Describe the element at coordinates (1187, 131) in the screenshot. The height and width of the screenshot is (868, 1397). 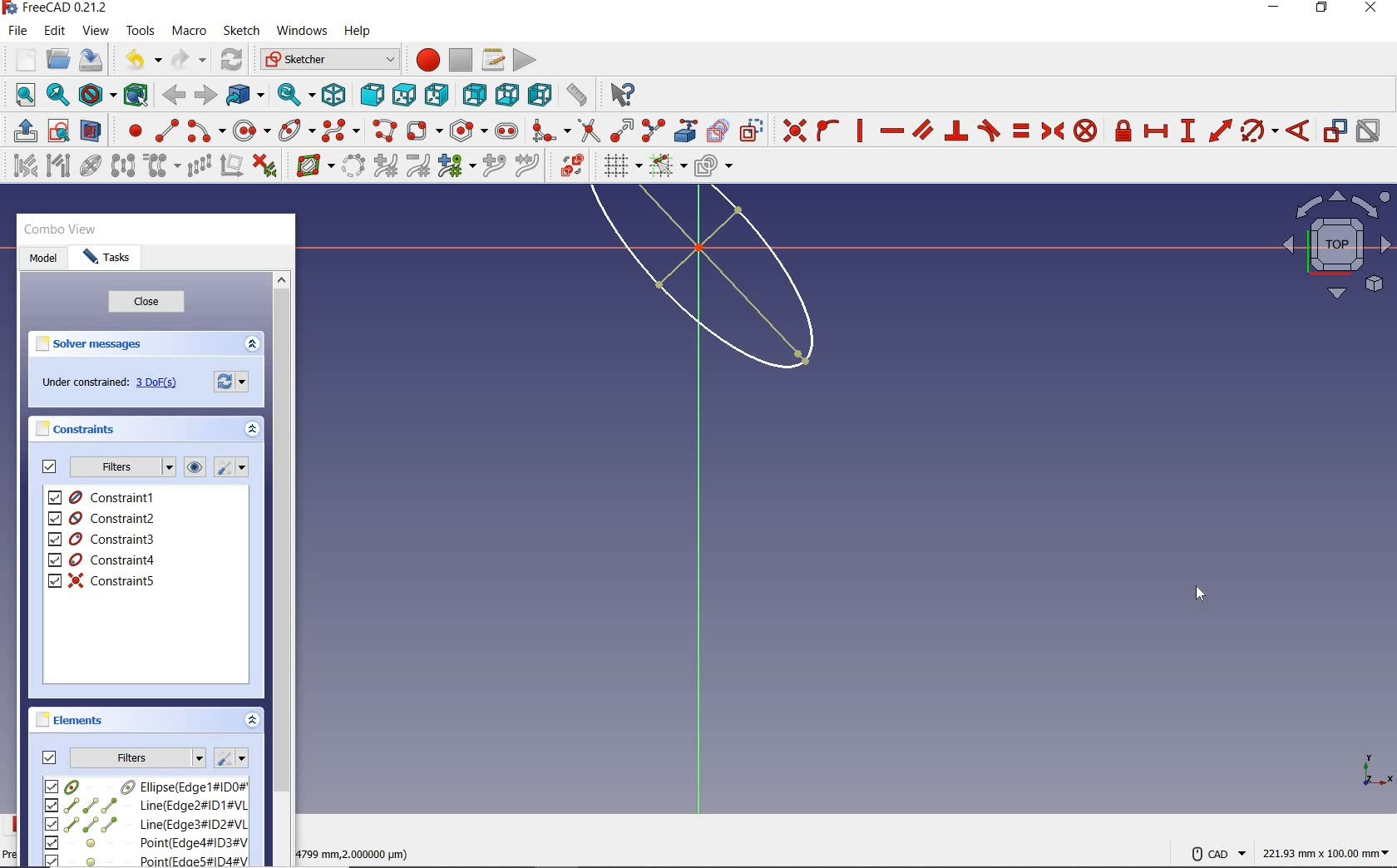
I see `constrain vertical distance` at that location.